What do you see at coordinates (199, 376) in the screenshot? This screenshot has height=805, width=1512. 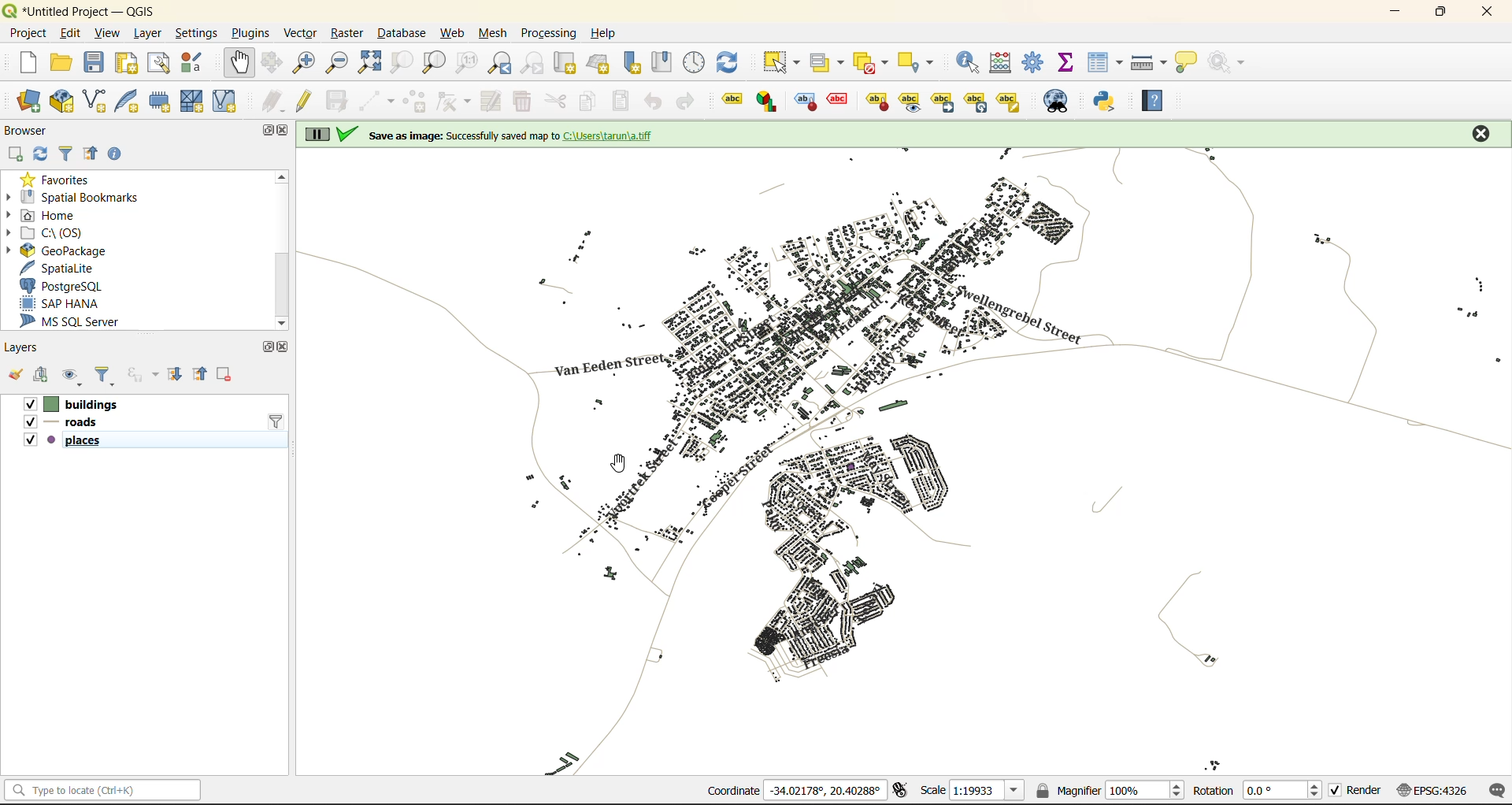 I see `collapse all` at bounding box center [199, 376].